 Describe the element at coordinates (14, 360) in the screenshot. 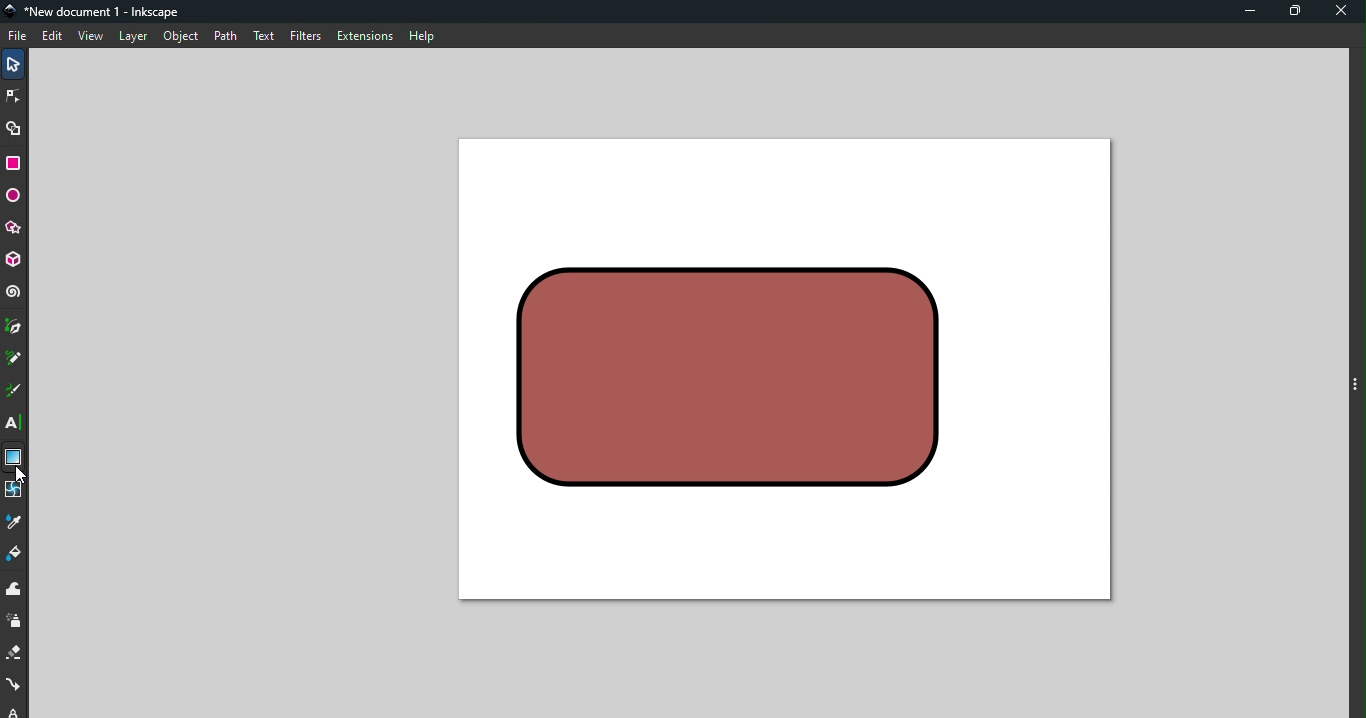

I see `Pencil tool` at that location.